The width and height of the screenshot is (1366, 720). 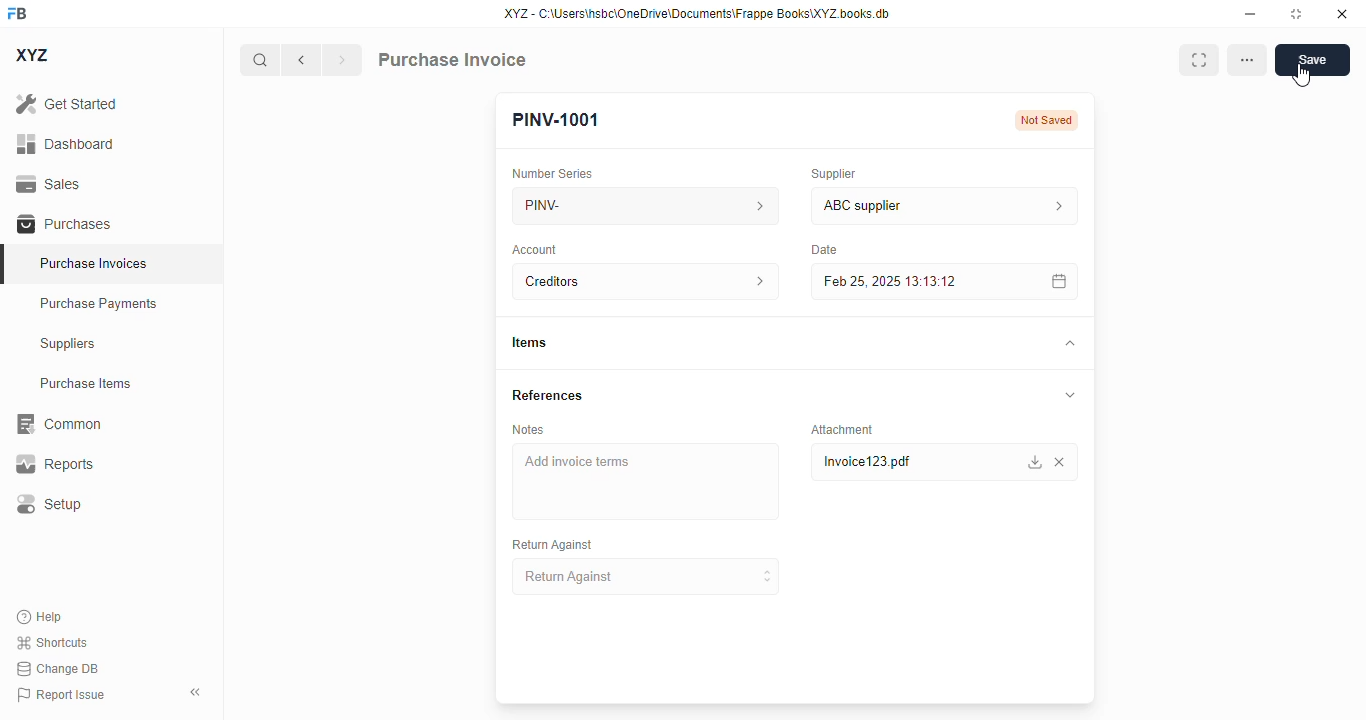 I want to click on Not saved, so click(x=1047, y=120).